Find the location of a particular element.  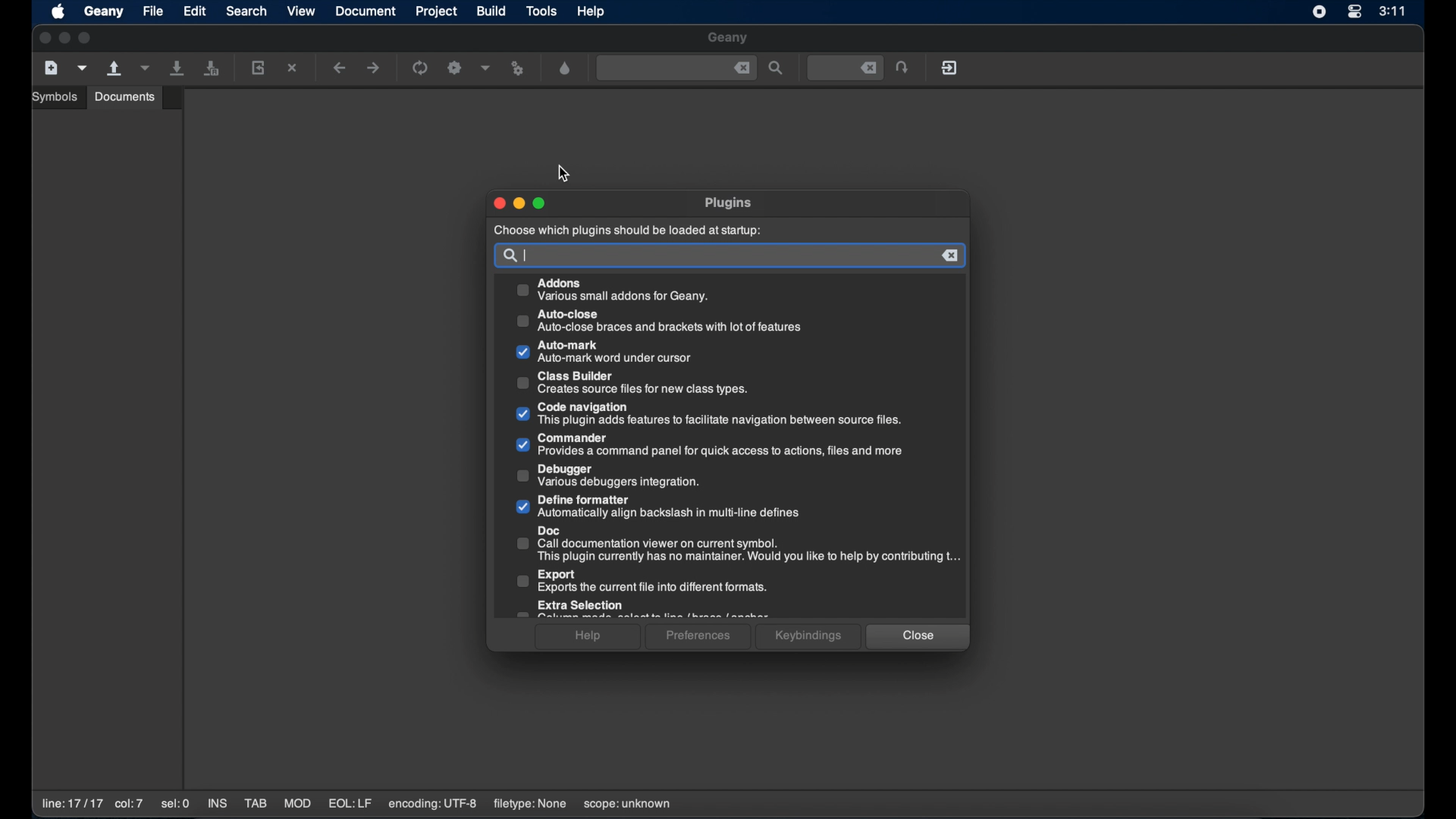

Commander Provides a command panel for quick access to actions, files and more is located at coordinates (720, 445).